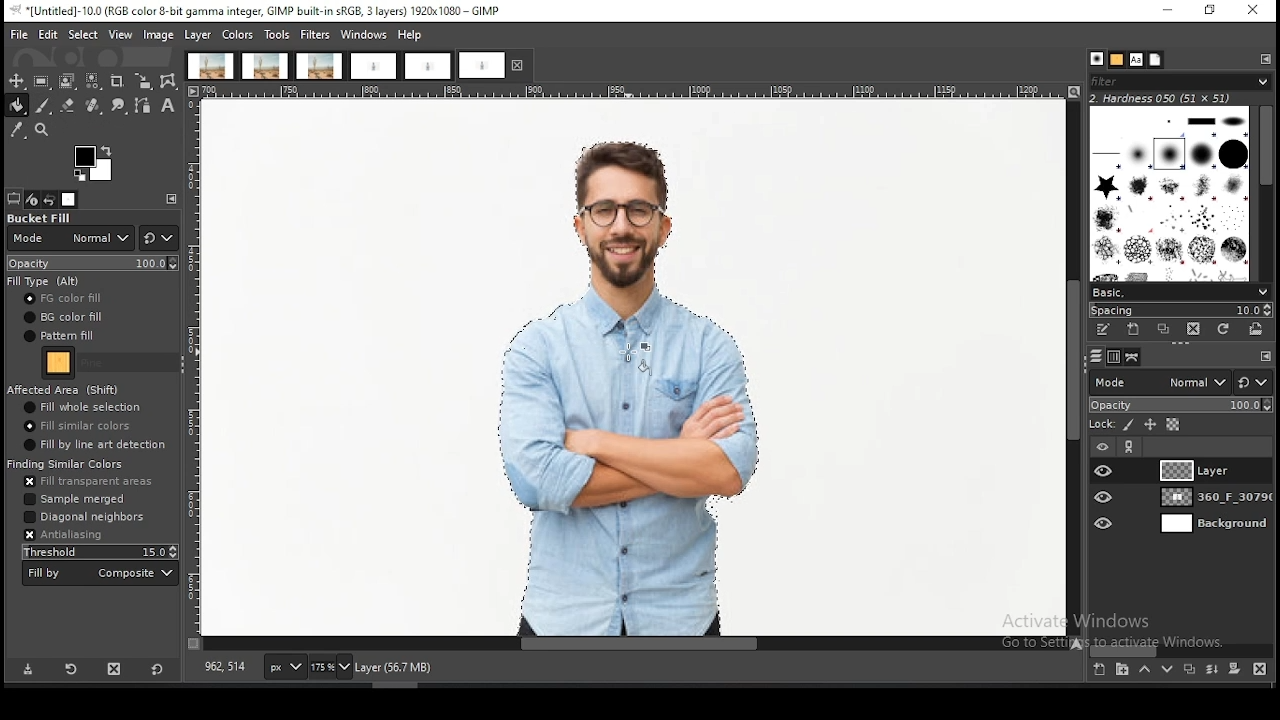  What do you see at coordinates (170, 81) in the screenshot?
I see `cage transform tool` at bounding box center [170, 81].